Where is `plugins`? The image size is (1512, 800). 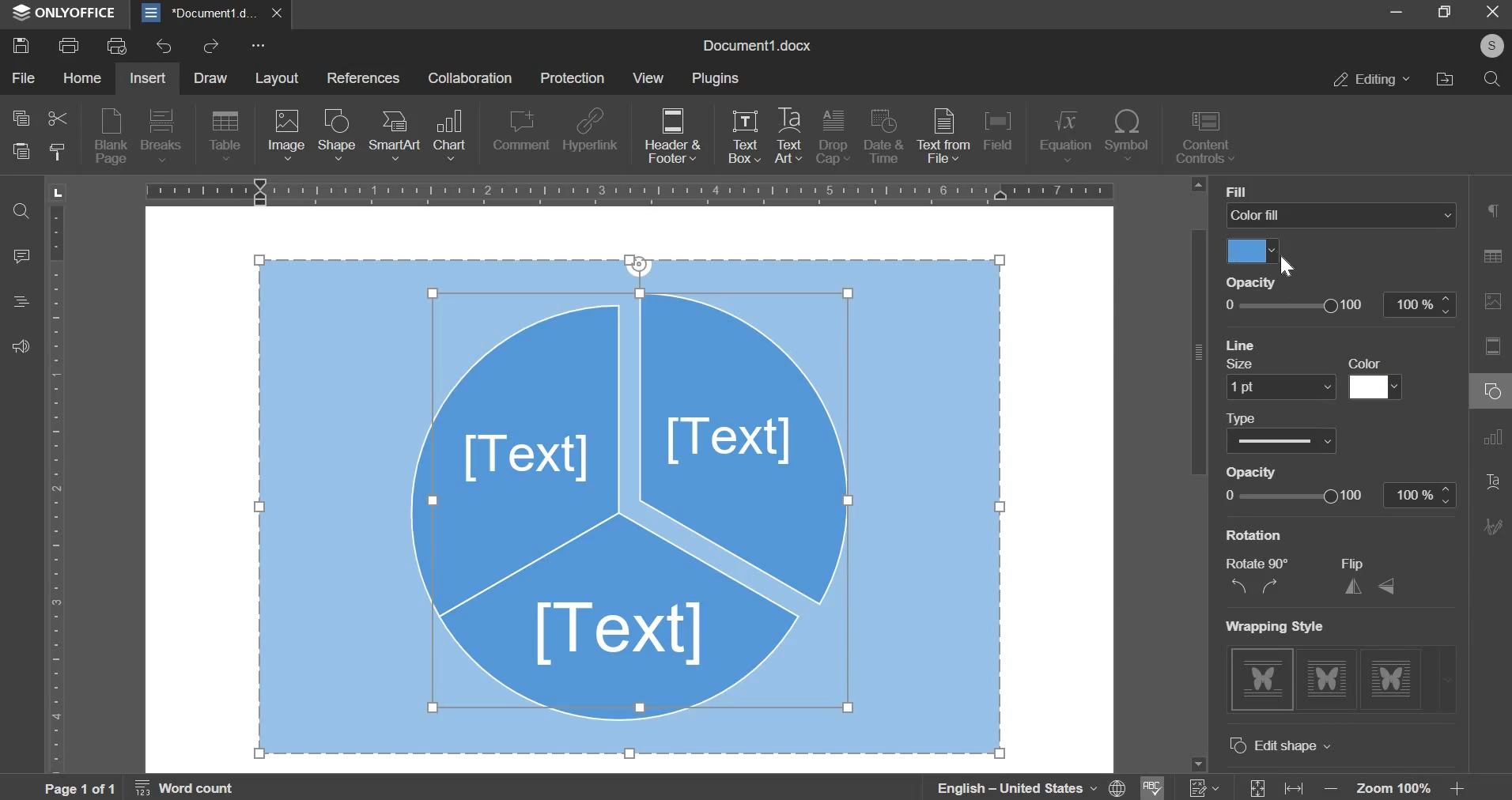 plugins is located at coordinates (717, 79).